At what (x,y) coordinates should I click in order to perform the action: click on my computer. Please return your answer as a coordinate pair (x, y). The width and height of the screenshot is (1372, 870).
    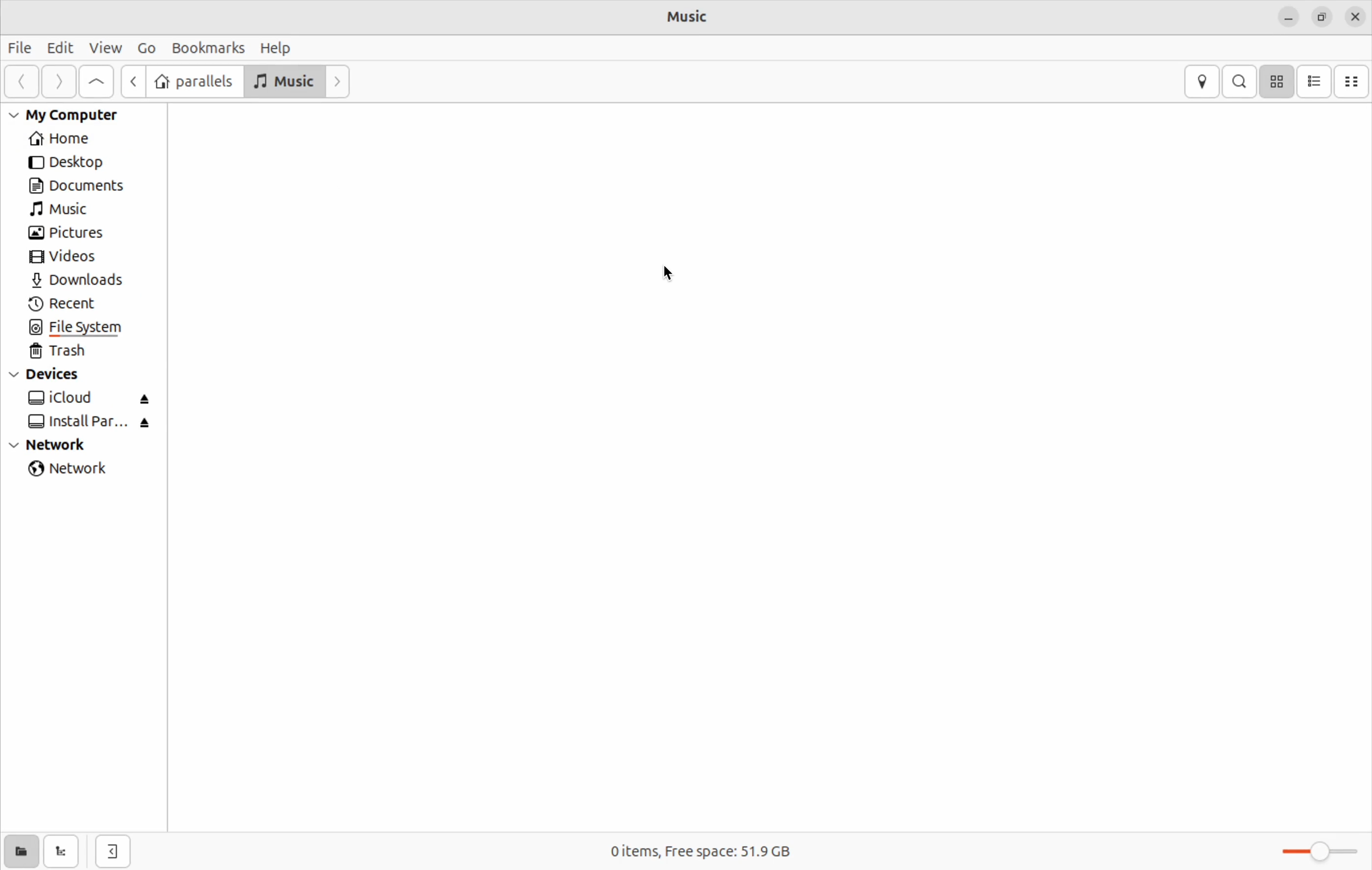
    Looking at the image, I should click on (74, 115).